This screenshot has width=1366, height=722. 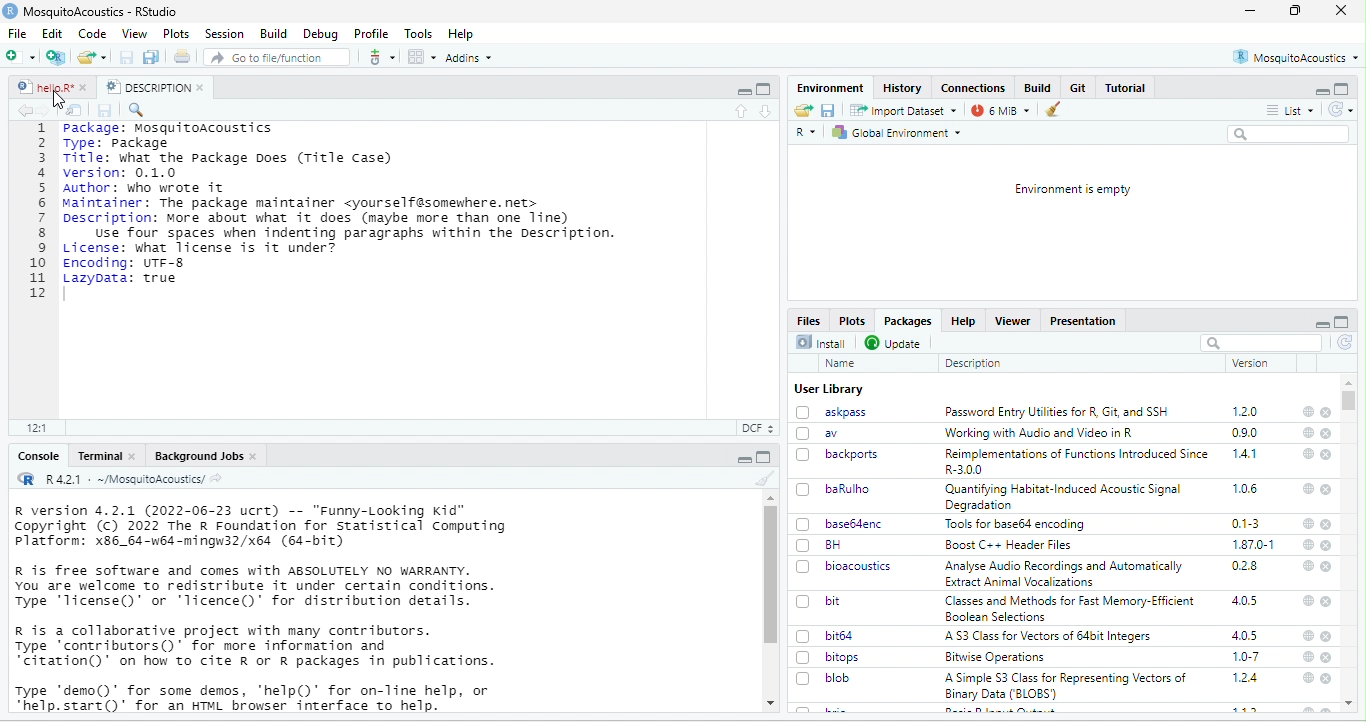 I want to click on Files, so click(x=808, y=319).